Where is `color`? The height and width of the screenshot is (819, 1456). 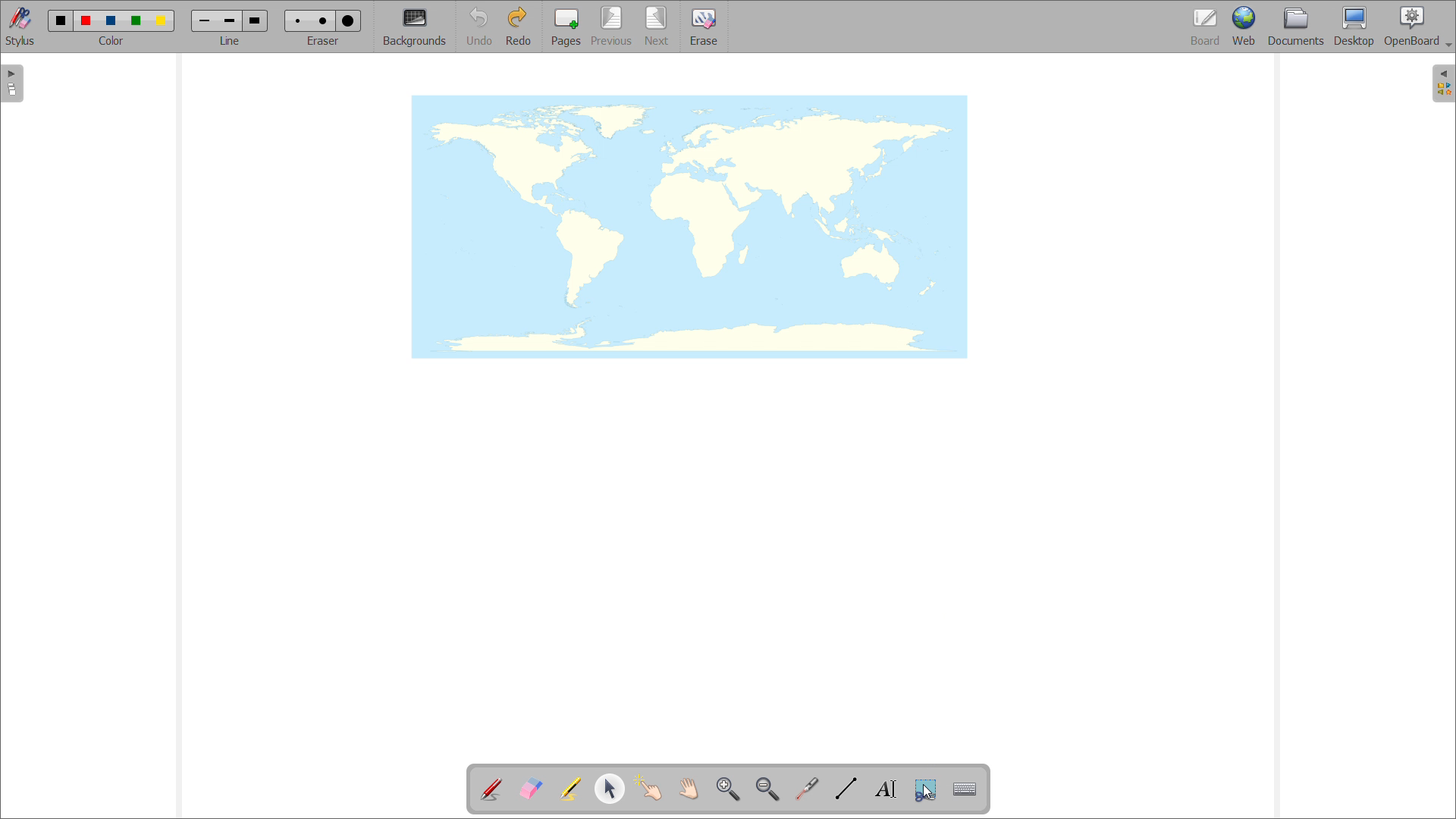 color is located at coordinates (111, 41).